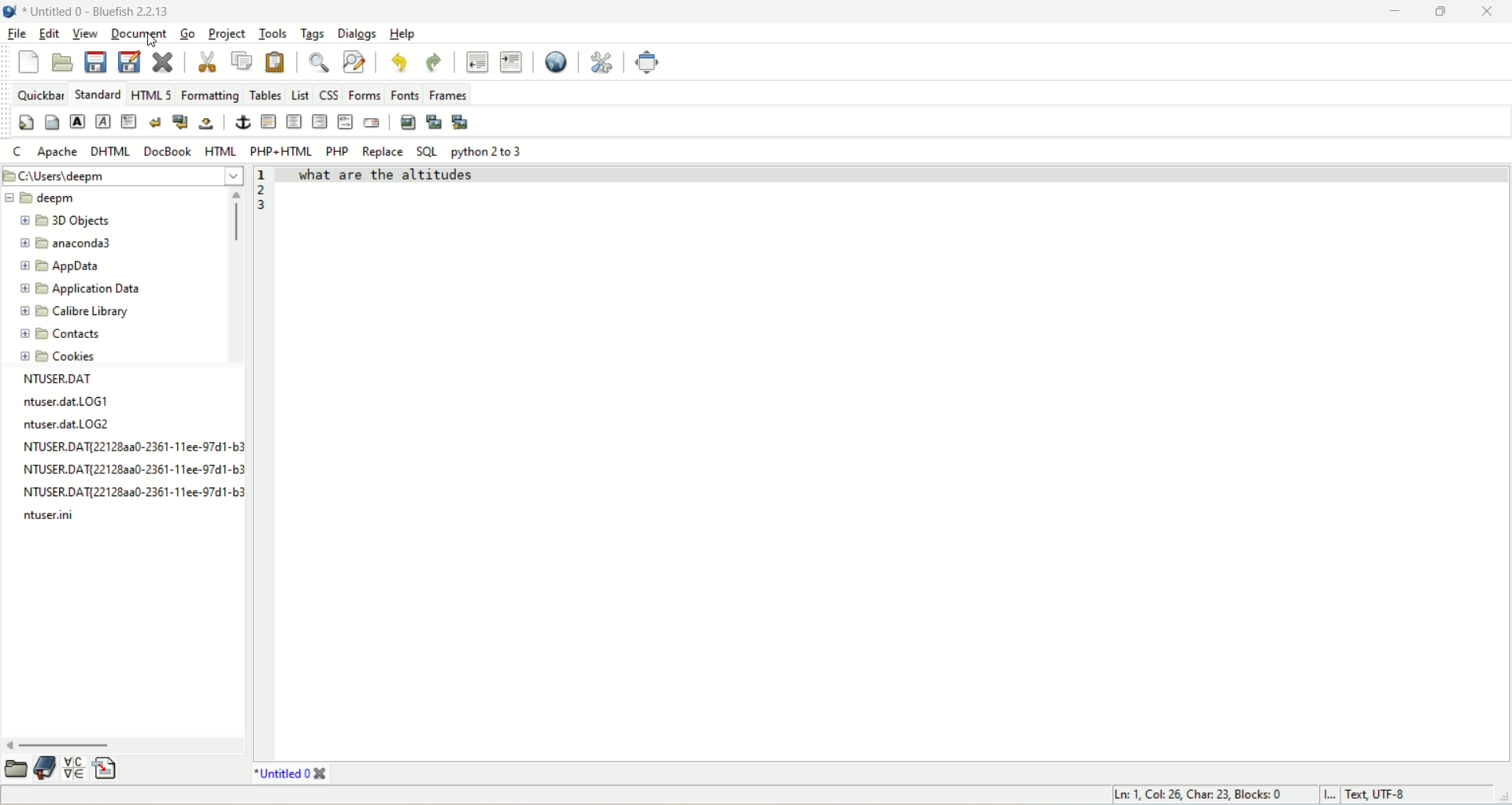 This screenshot has height=805, width=1512. Describe the element at coordinates (212, 95) in the screenshot. I see `formatting` at that location.